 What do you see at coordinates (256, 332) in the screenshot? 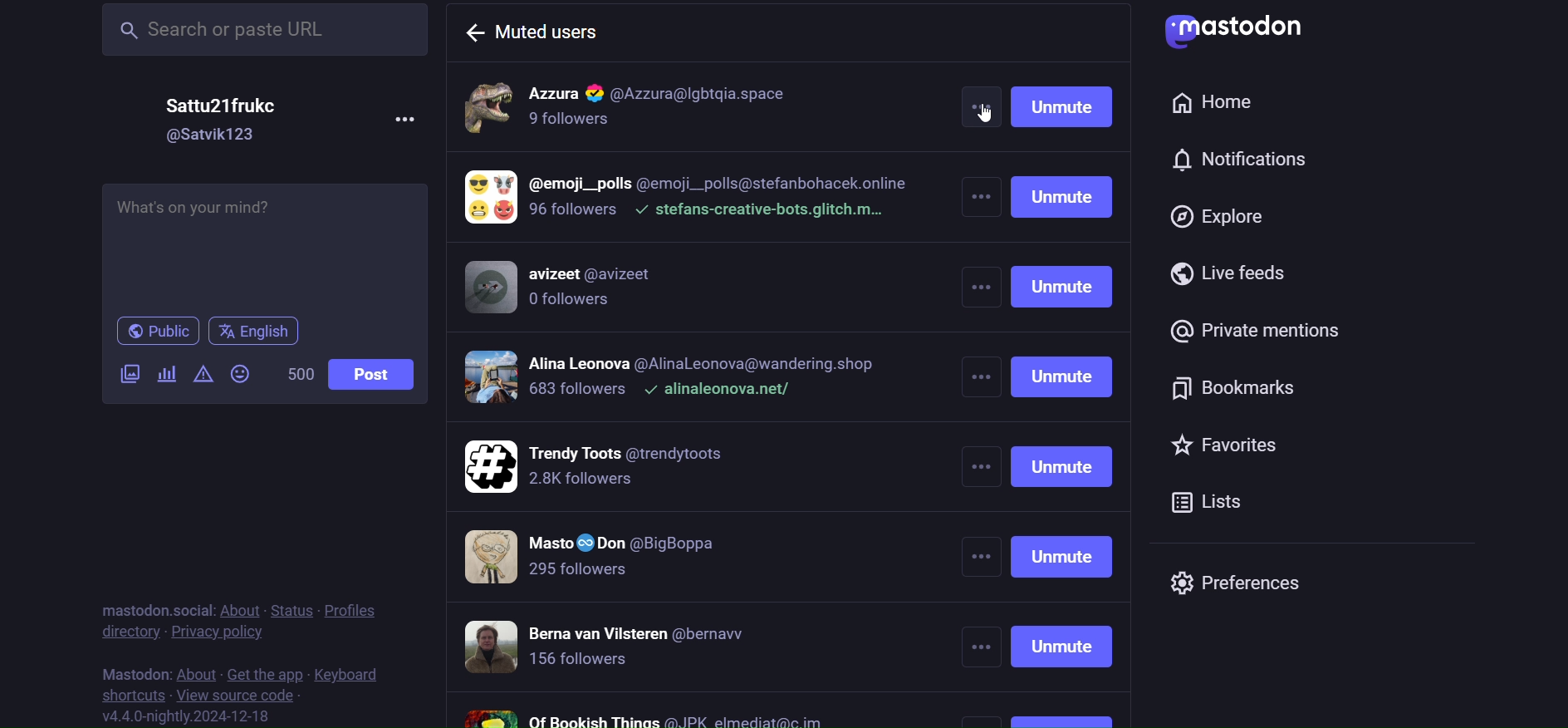
I see `language` at bounding box center [256, 332].